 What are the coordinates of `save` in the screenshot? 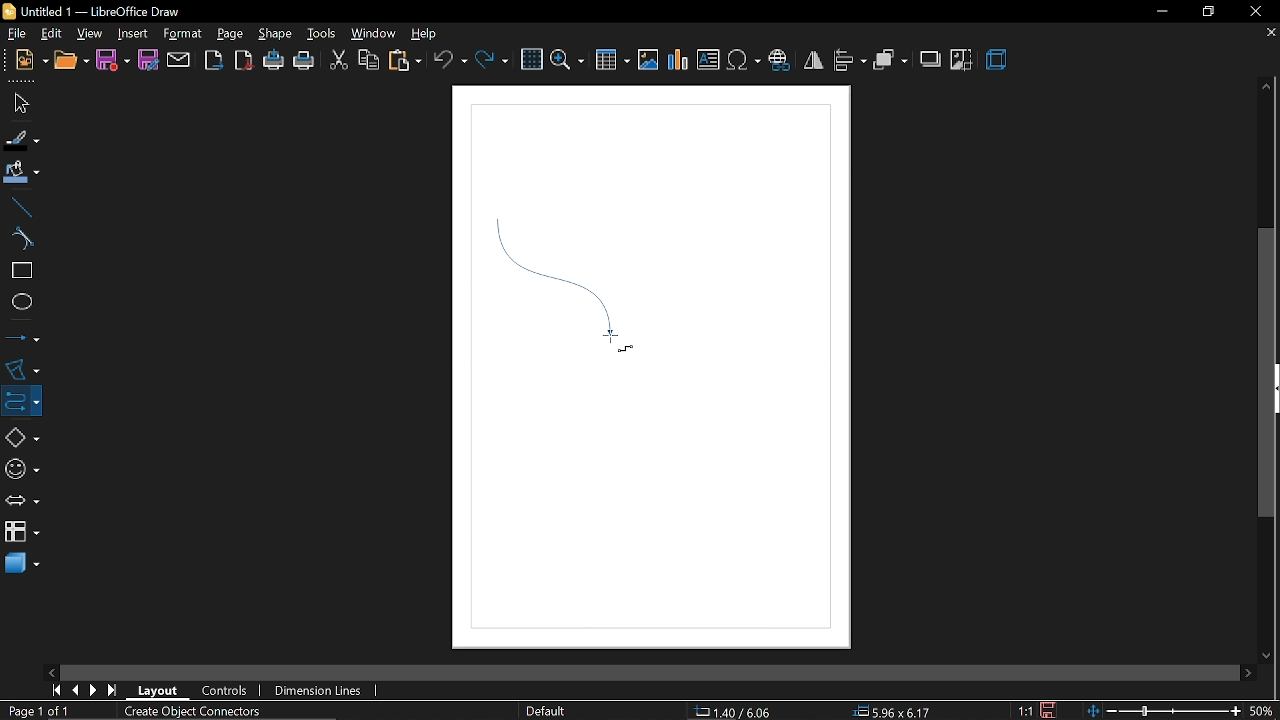 It's located at (1051, 710).